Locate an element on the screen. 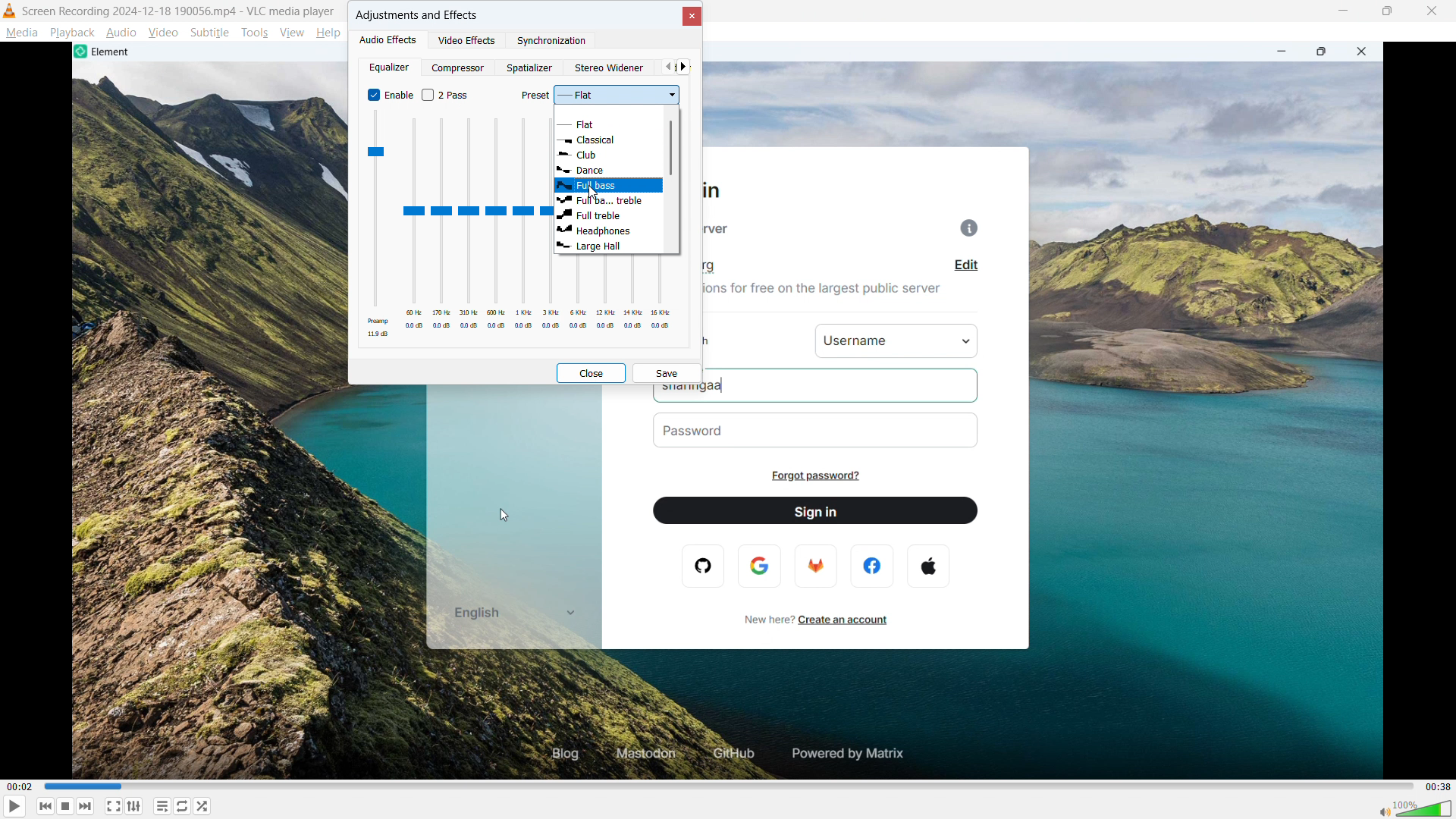  equaliser enabled  is located at coordinates (390, 95).